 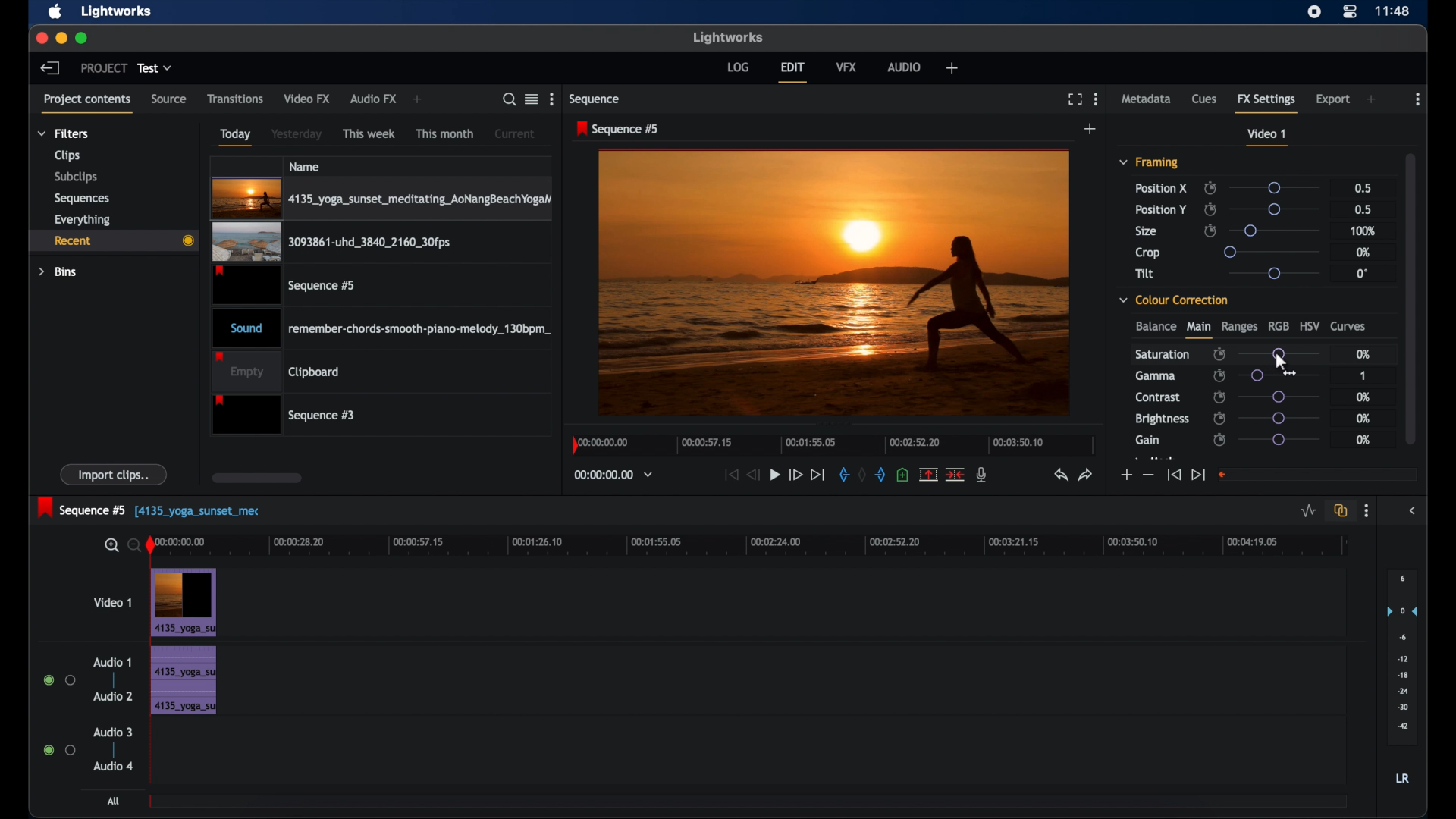 I want to click on toggle audio levels editing, so click(x=1307, y=510).